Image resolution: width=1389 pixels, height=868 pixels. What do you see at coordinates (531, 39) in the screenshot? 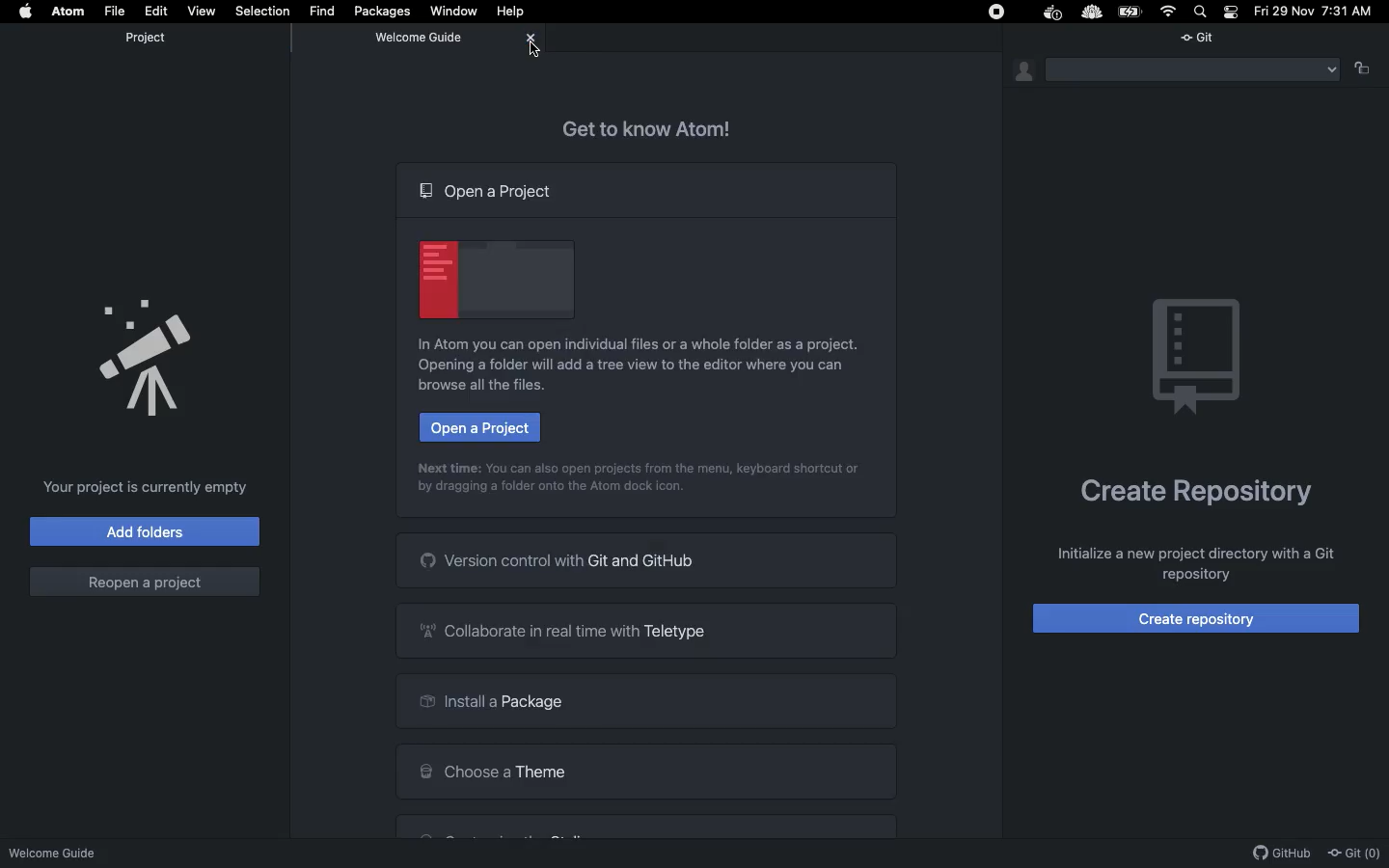
I see `Close` at bounding box center [531, 39].